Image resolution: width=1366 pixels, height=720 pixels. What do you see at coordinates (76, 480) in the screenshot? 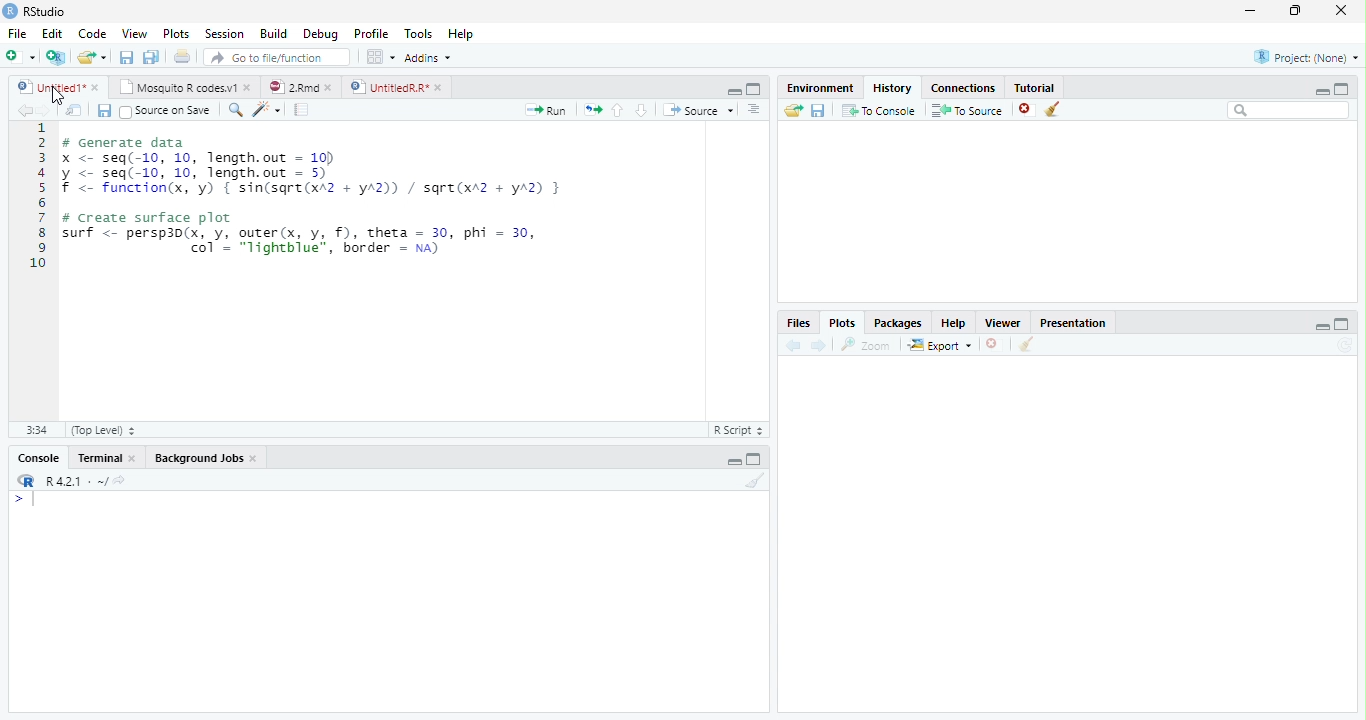
I see `R 4.2.1 . ~/` at bounding box center [76, 480].